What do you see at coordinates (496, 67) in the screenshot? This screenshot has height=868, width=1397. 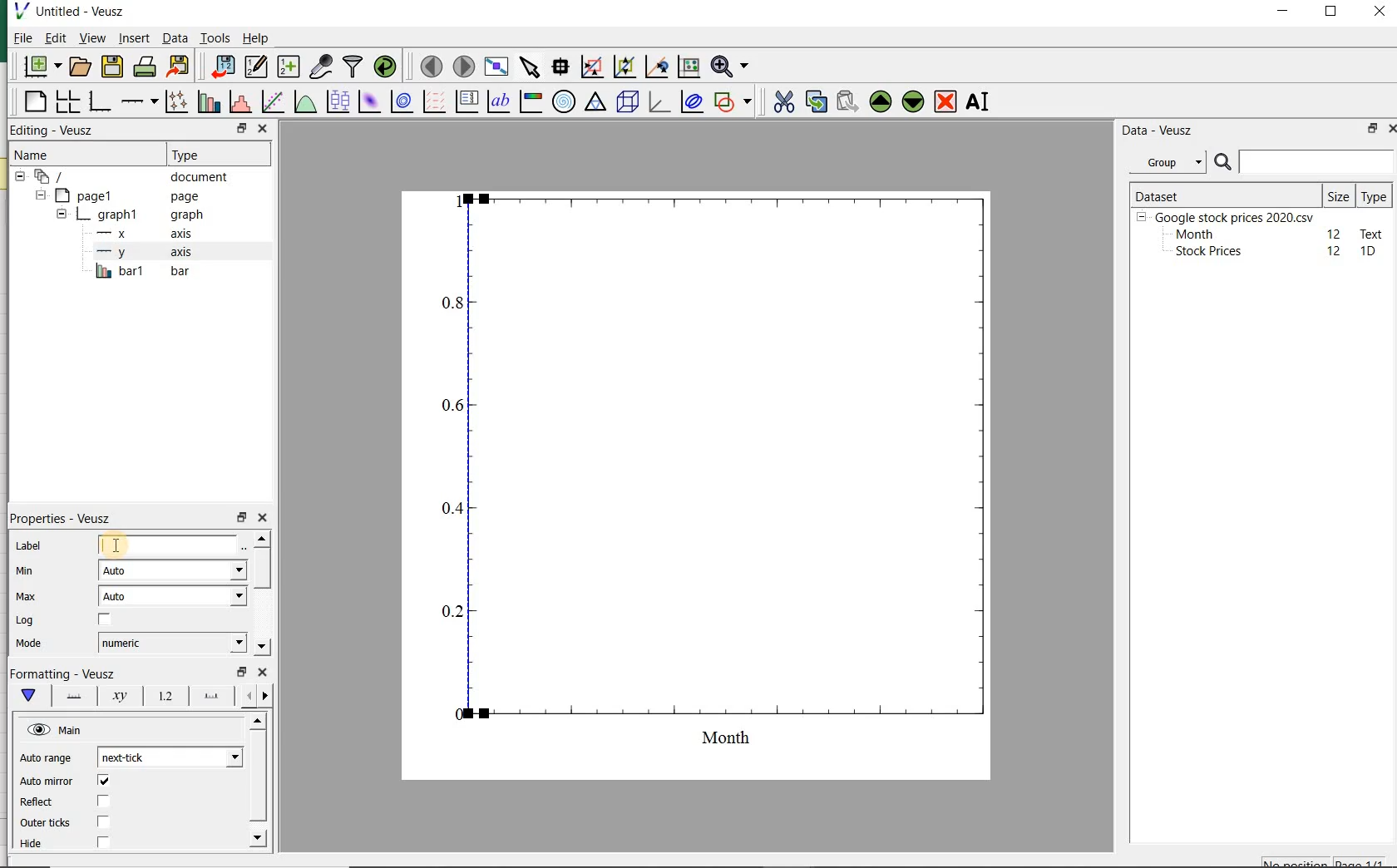 I see `view plot full screen` at bounding box center [496, 67].